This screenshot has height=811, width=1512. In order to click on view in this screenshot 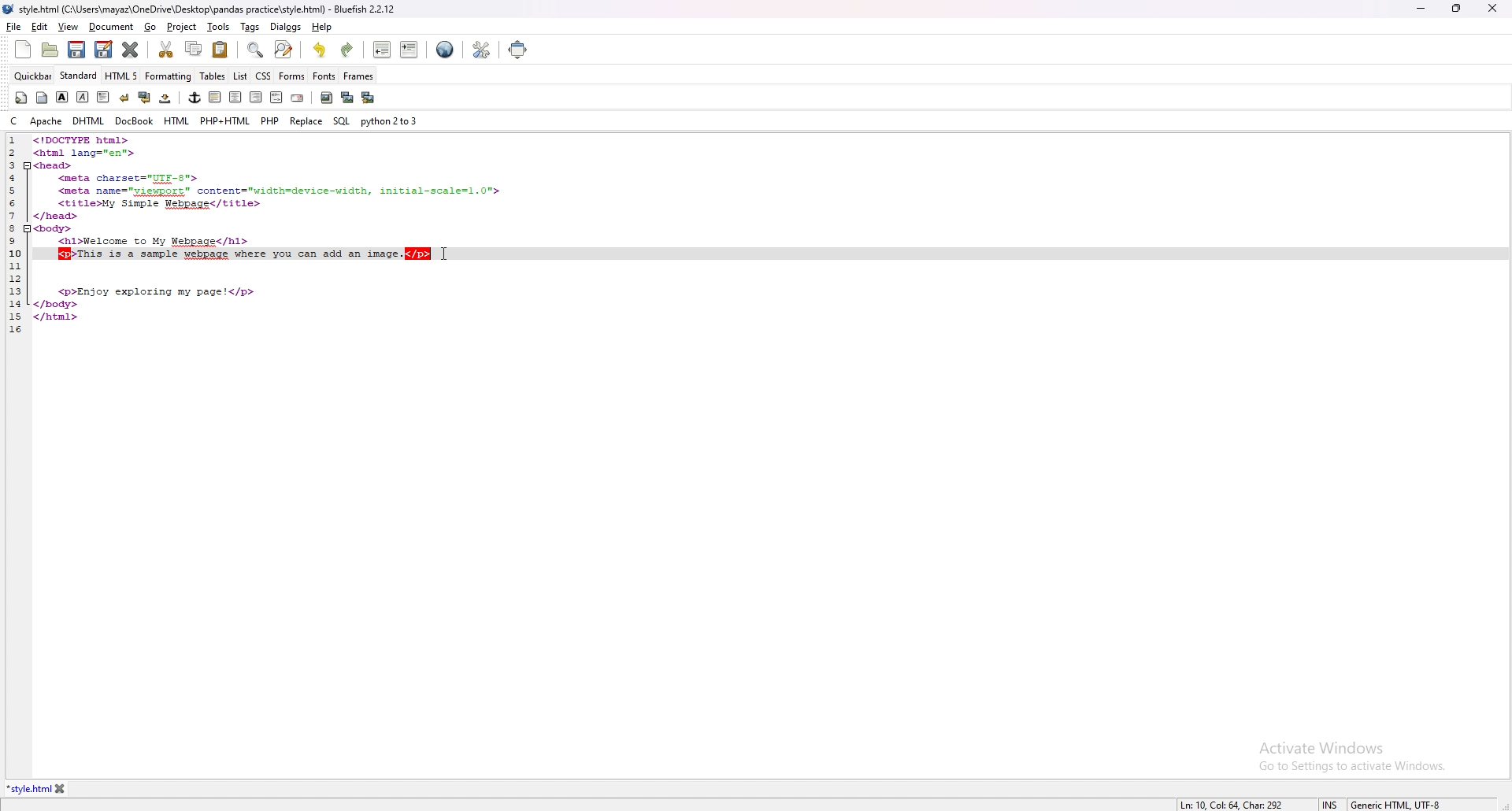, I will do `click(69, 26)`.